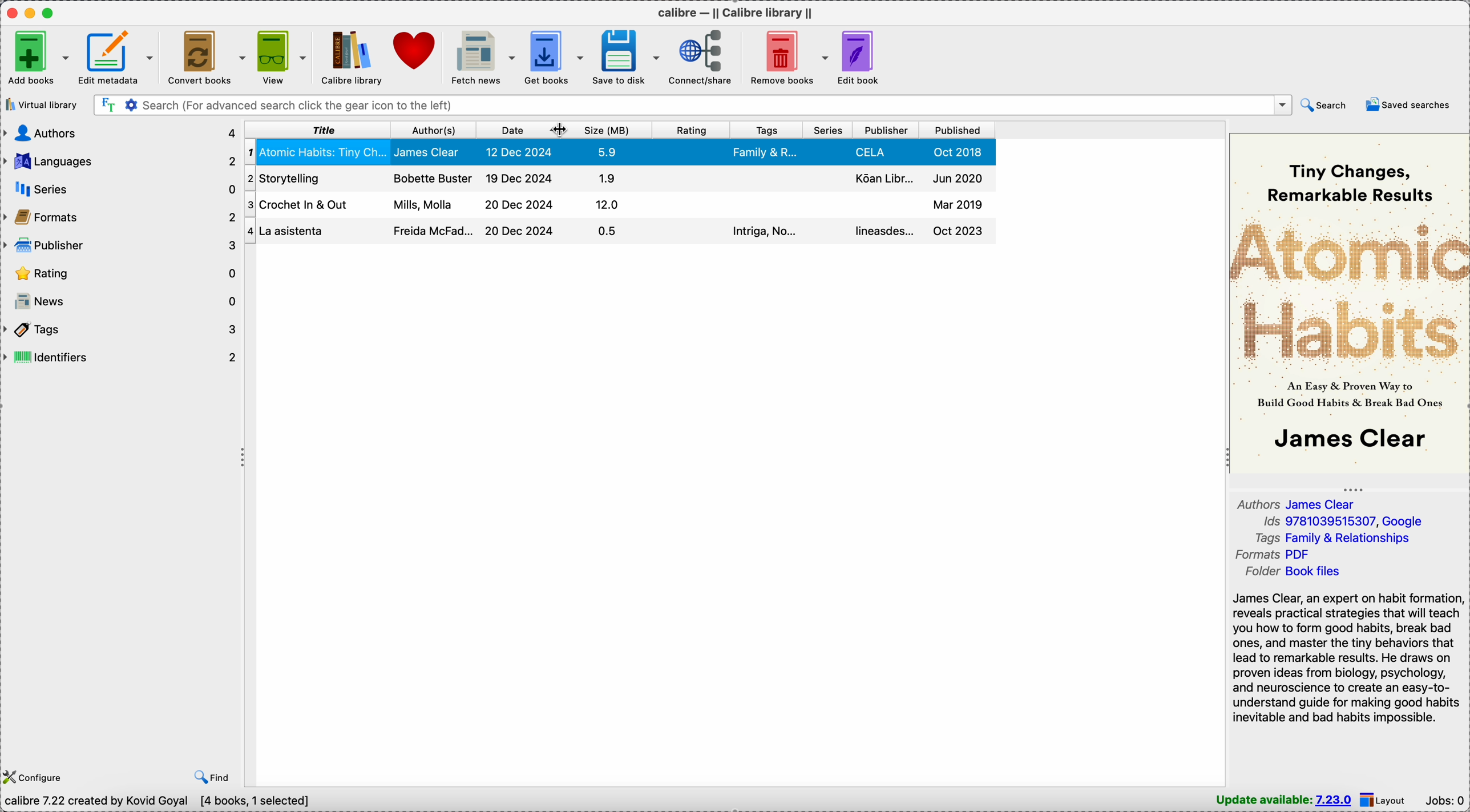 Image resolution: width=1470 pixels, height=812 pixels. Describe the element at coordinates (621, 177) in the screenshot. I see `Crochet In & Out book details` at that location.